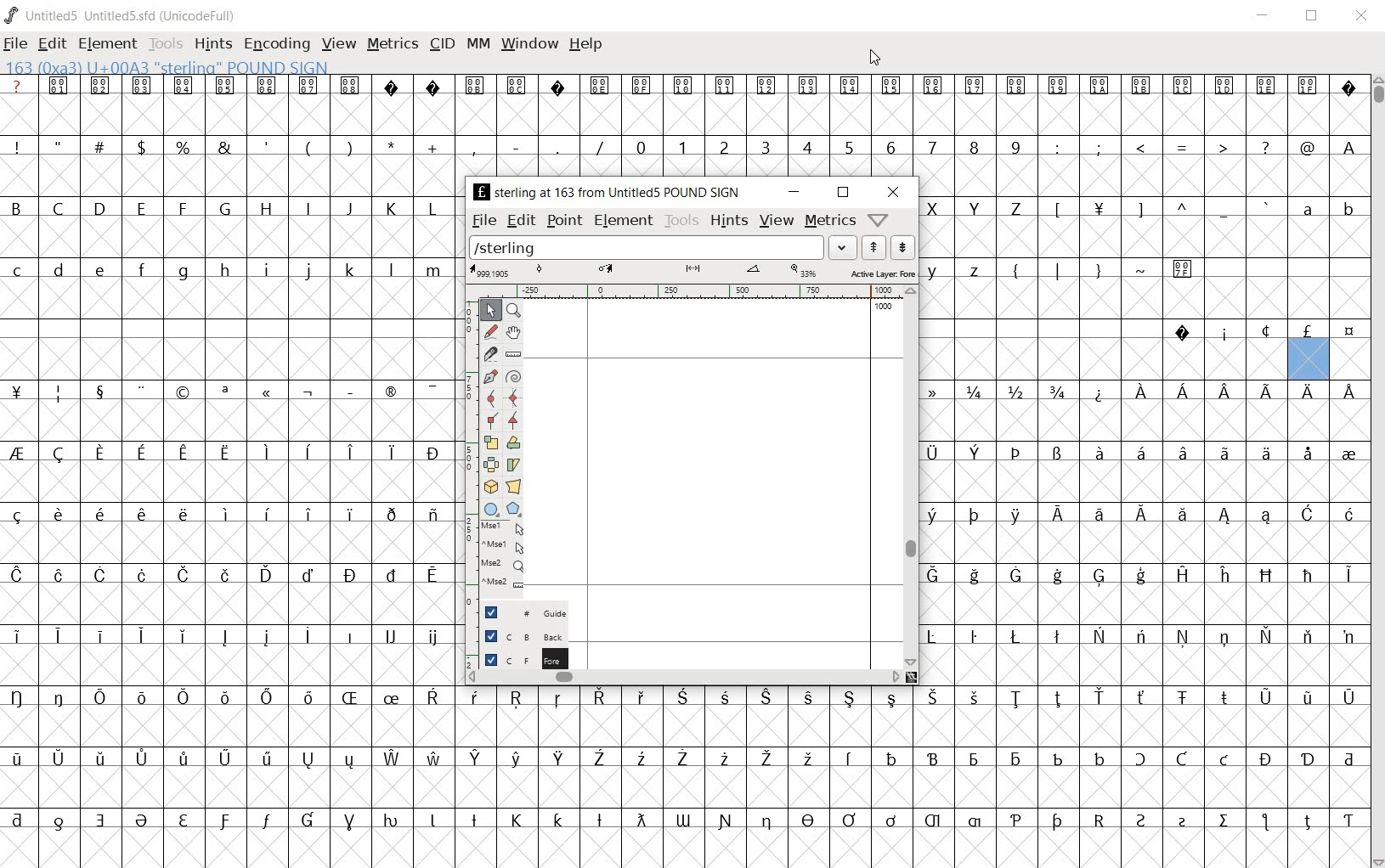 This screenshot has width=1385, height=868. I want to click on Symbol, so click(973, 515).